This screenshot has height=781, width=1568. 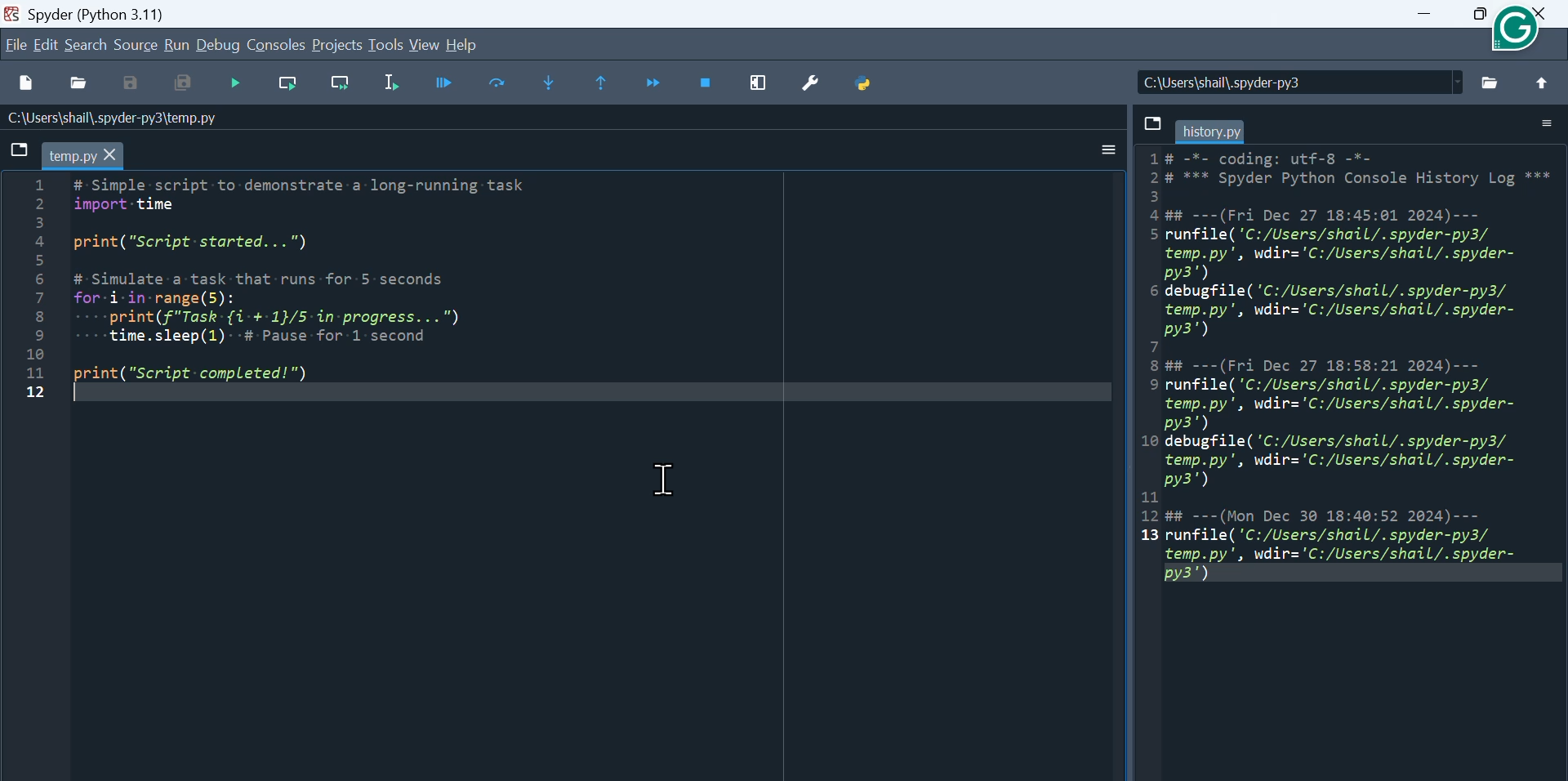 What do you see at coordinates (815, 83) in the screenshot?
I see `Preferences` at bounding box center [815, 83].